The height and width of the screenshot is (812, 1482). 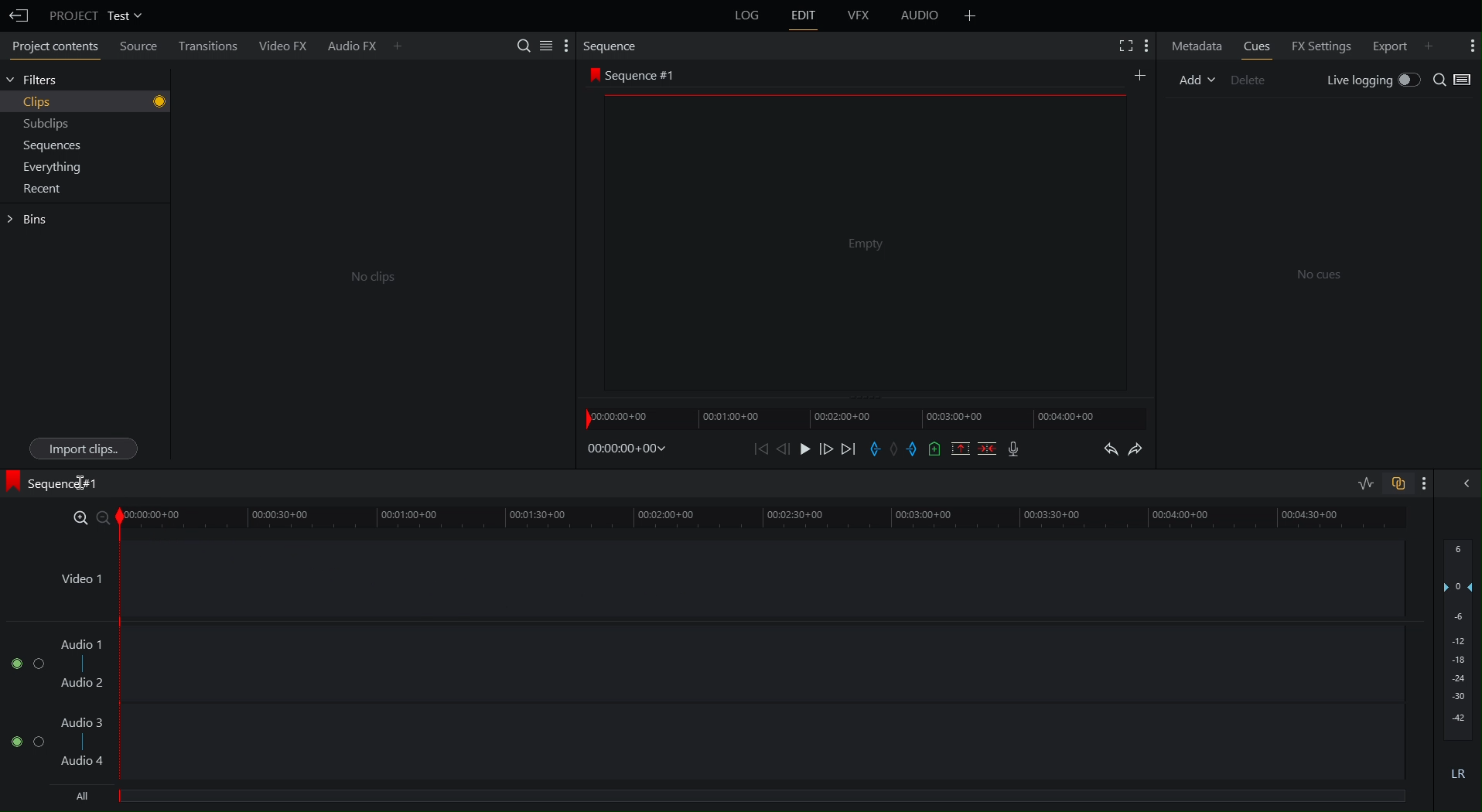 I want to click on Place Entry Marker, so click(x=876, y=449).